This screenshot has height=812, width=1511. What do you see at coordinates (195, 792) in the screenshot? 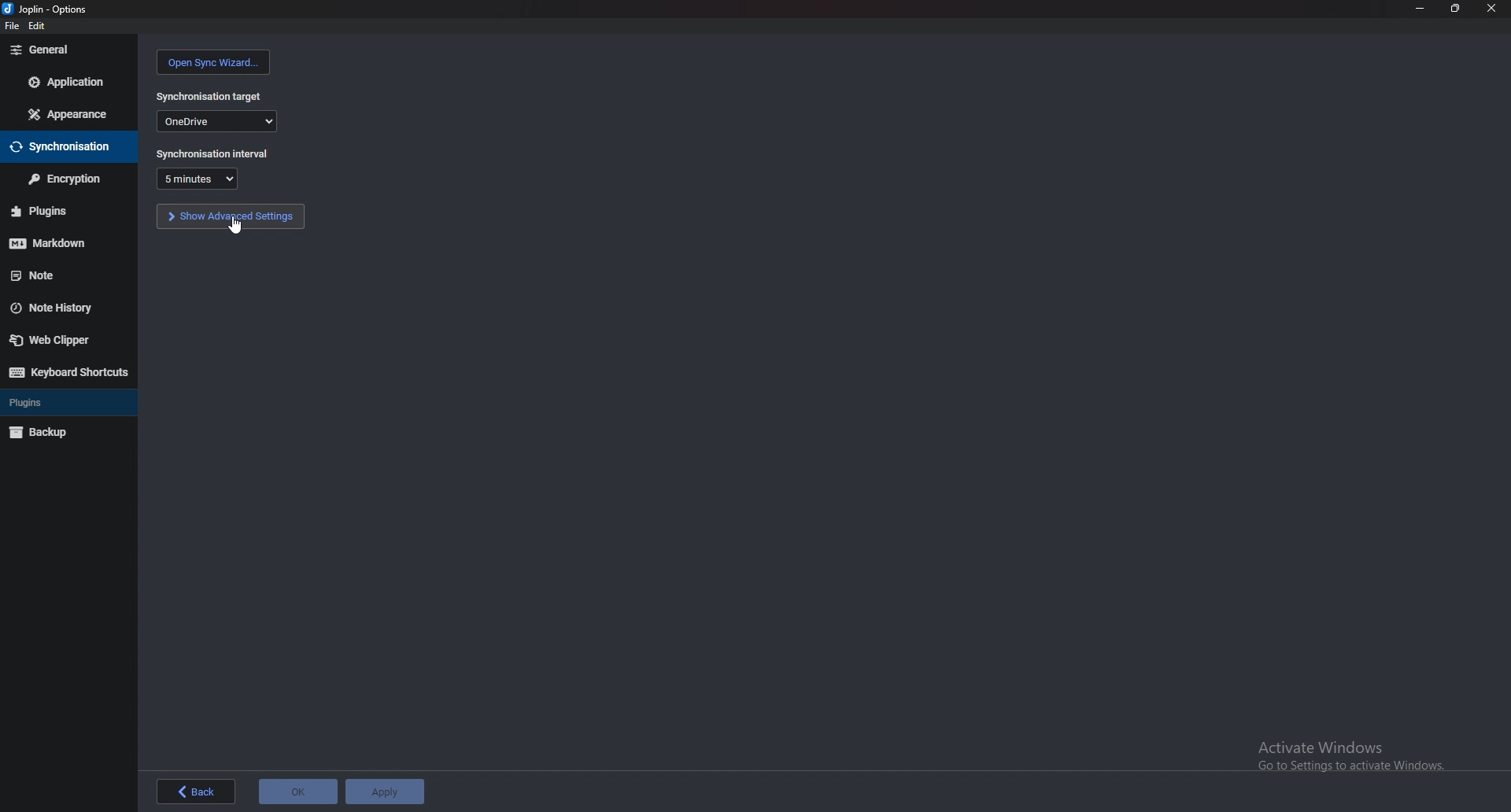
I see `back` at bounding box center [195, 792].